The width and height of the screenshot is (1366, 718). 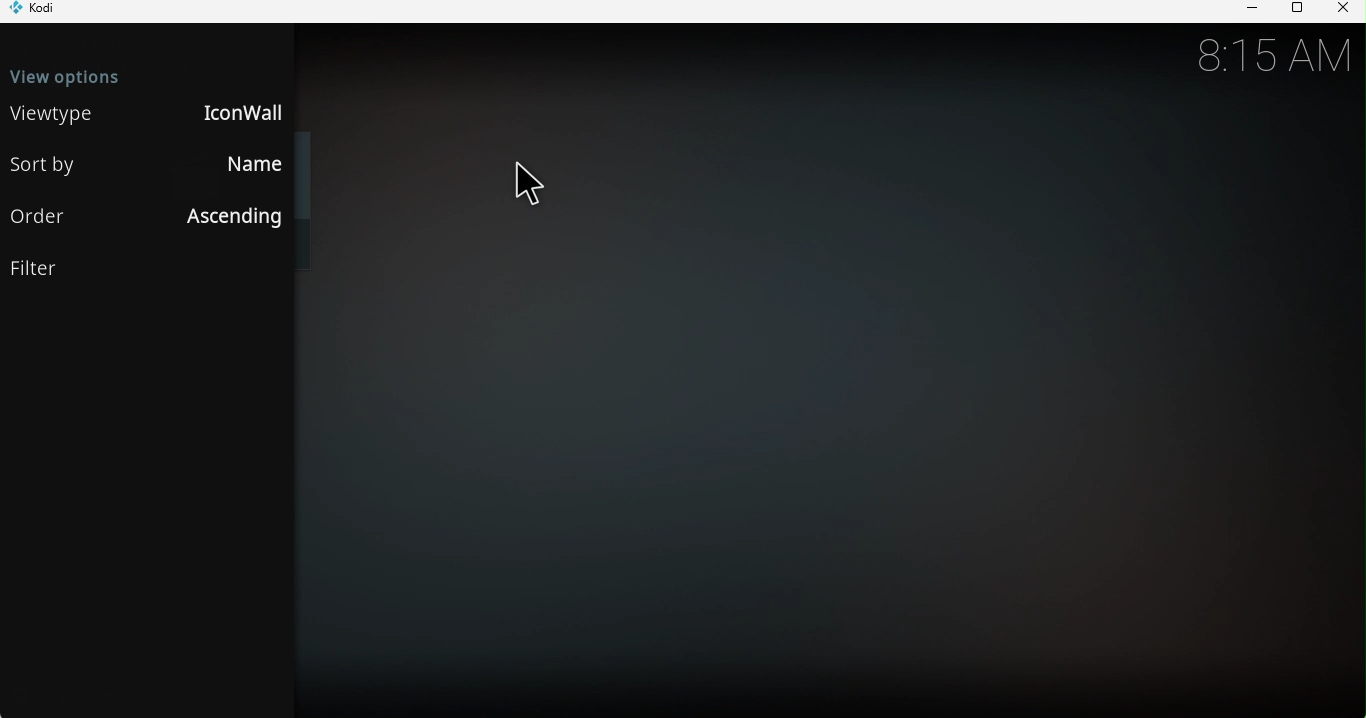 What do you see at coordinates (54, 114) in the screenshot?
I see `ViewType` at bounding box center [54, 114].